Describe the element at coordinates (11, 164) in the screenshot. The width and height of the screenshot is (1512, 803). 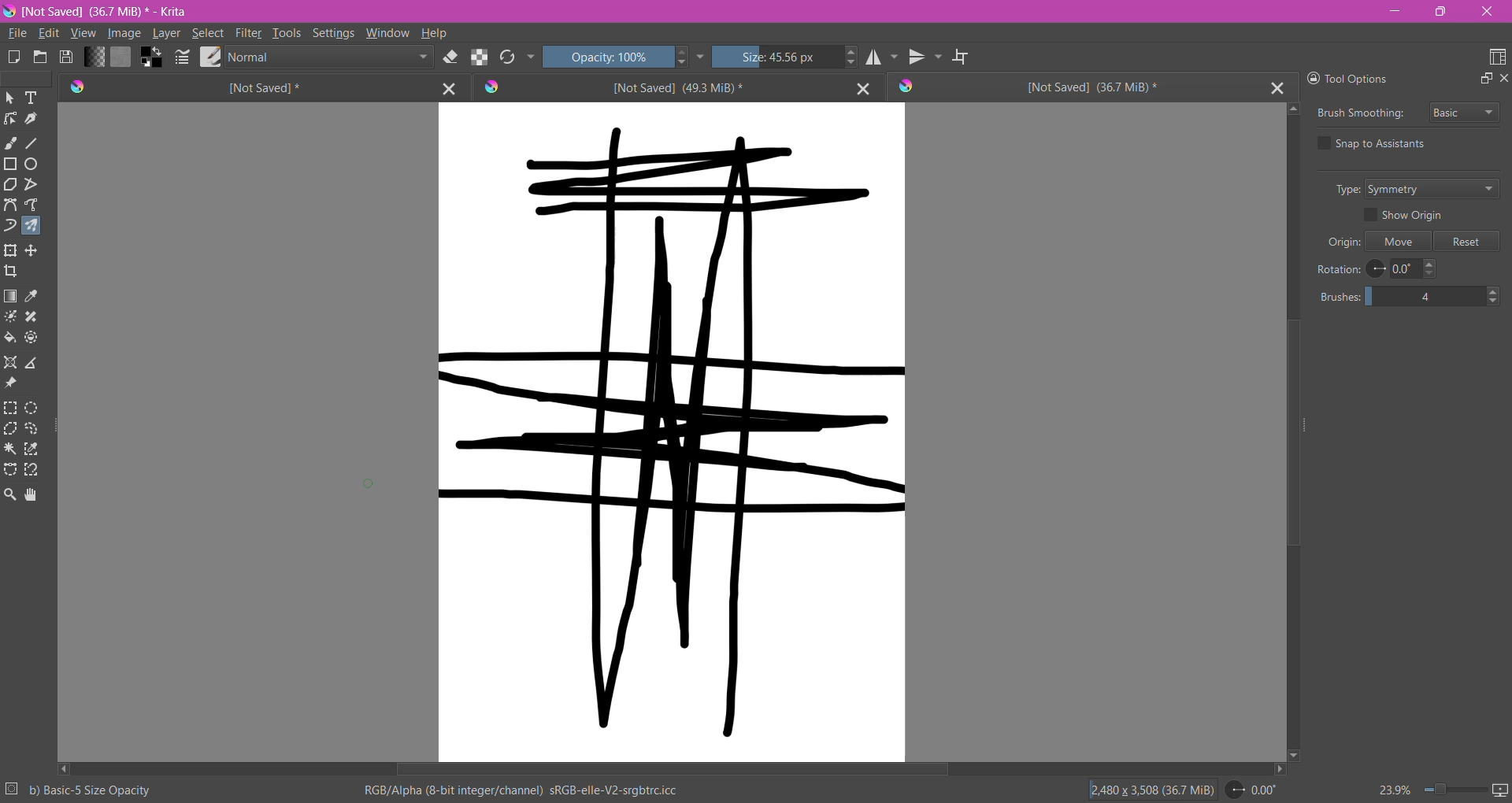
I see `Rectangle Tool` at that location.